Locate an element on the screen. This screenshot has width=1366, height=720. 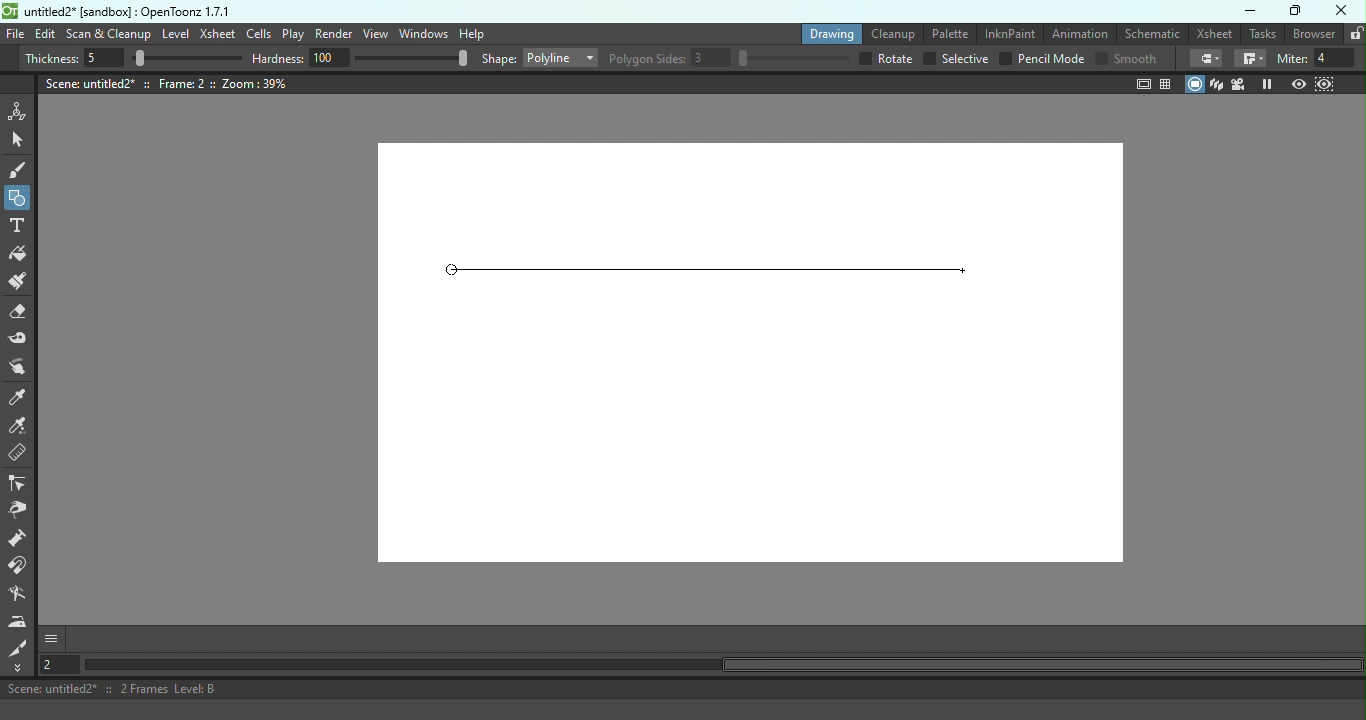
Ruler is located at coordinates (24, 456).